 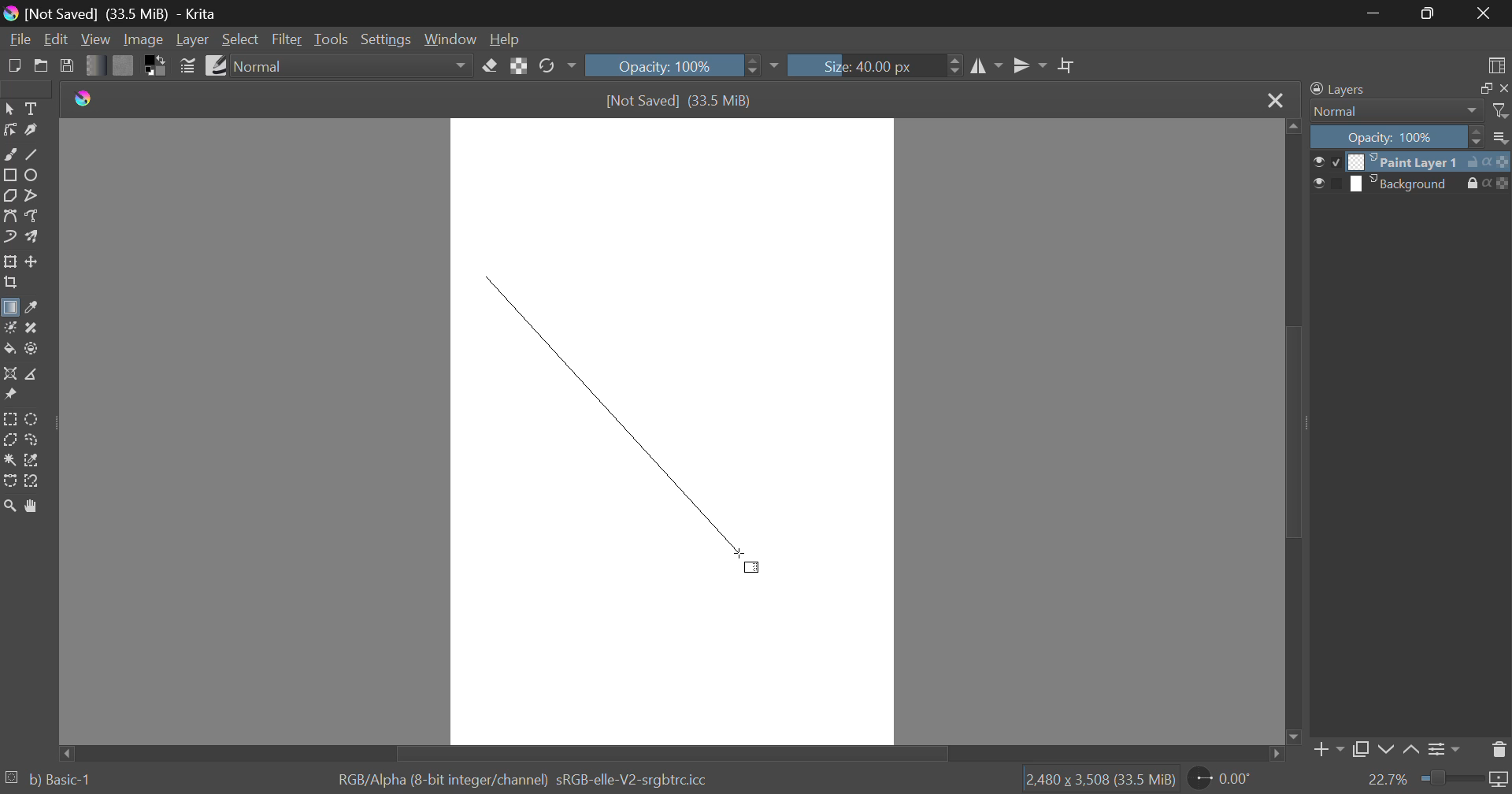 I want to click on Transform Layer, so click(x=9, y=262).